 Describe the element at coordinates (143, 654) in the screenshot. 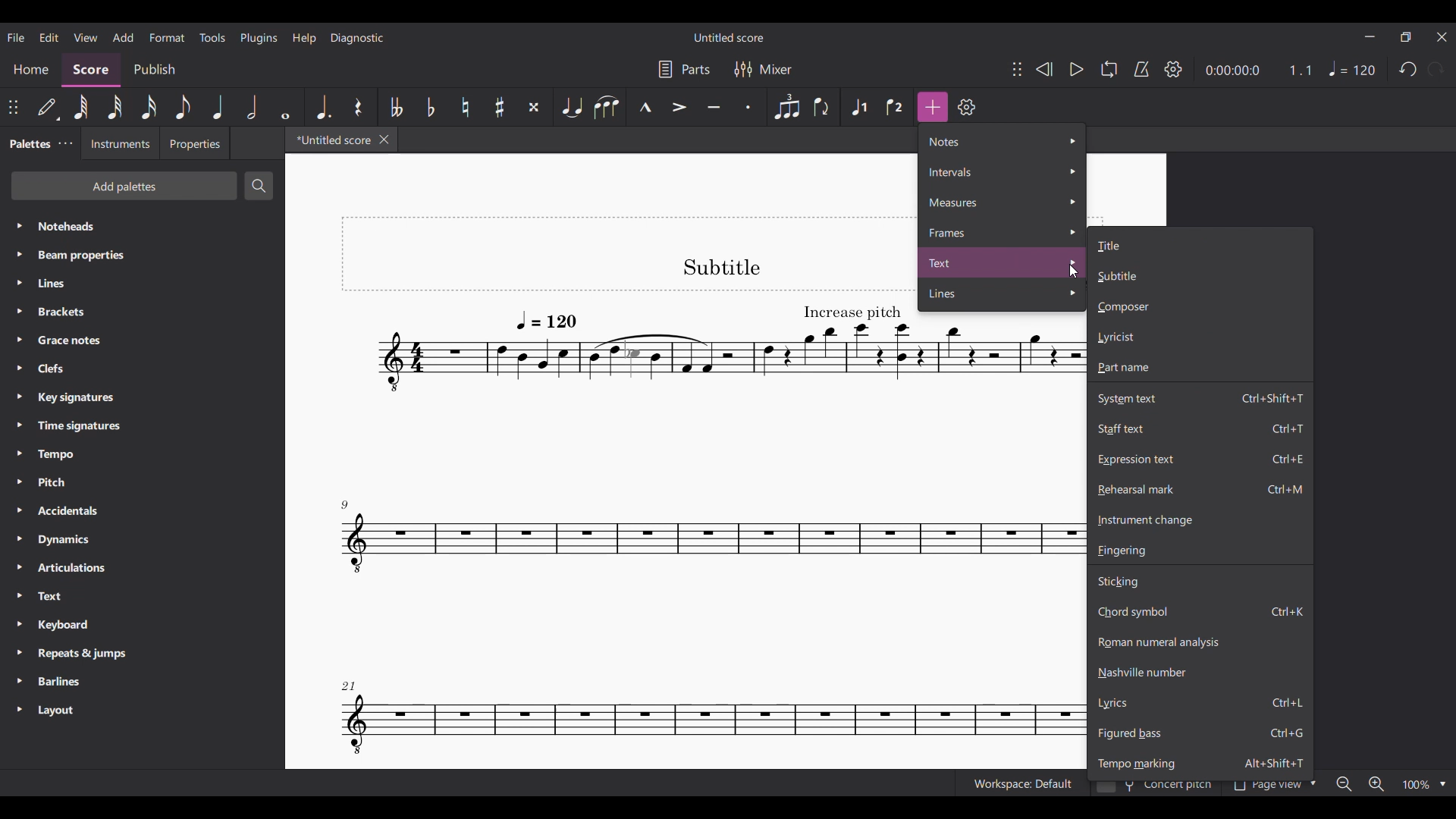

I see `Repeats & jumps` at that location.